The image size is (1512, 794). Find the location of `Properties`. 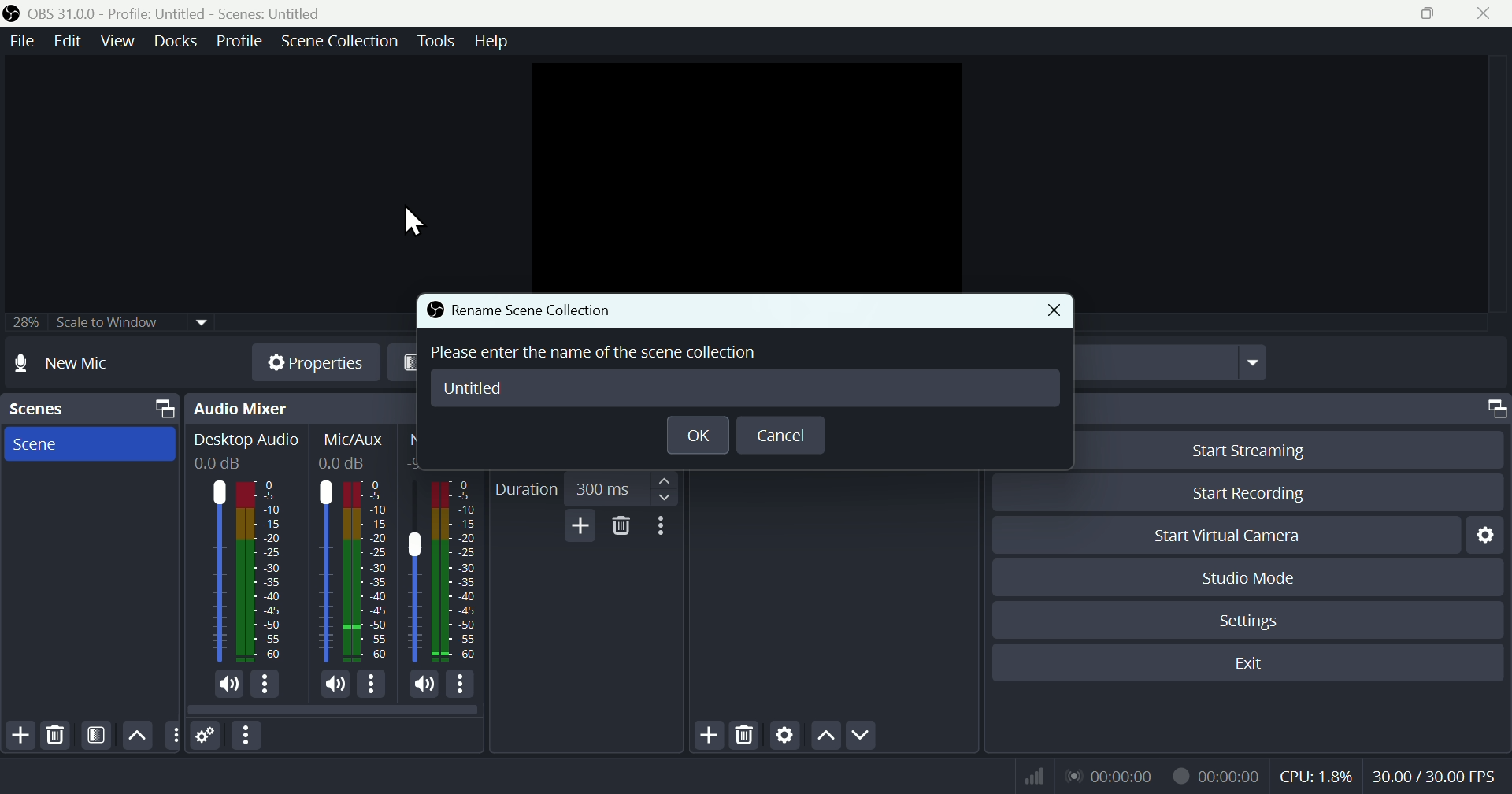

Properties is located at coordinates (309, 362).